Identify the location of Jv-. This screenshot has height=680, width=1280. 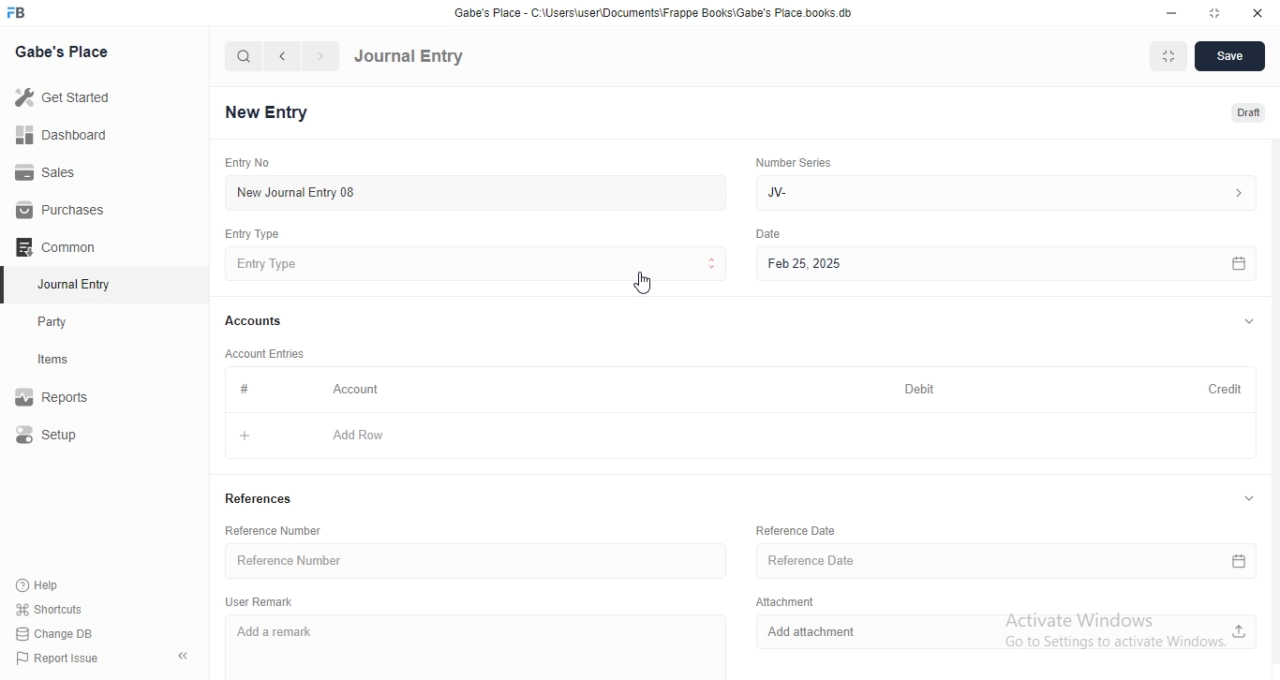
(1010, 191).